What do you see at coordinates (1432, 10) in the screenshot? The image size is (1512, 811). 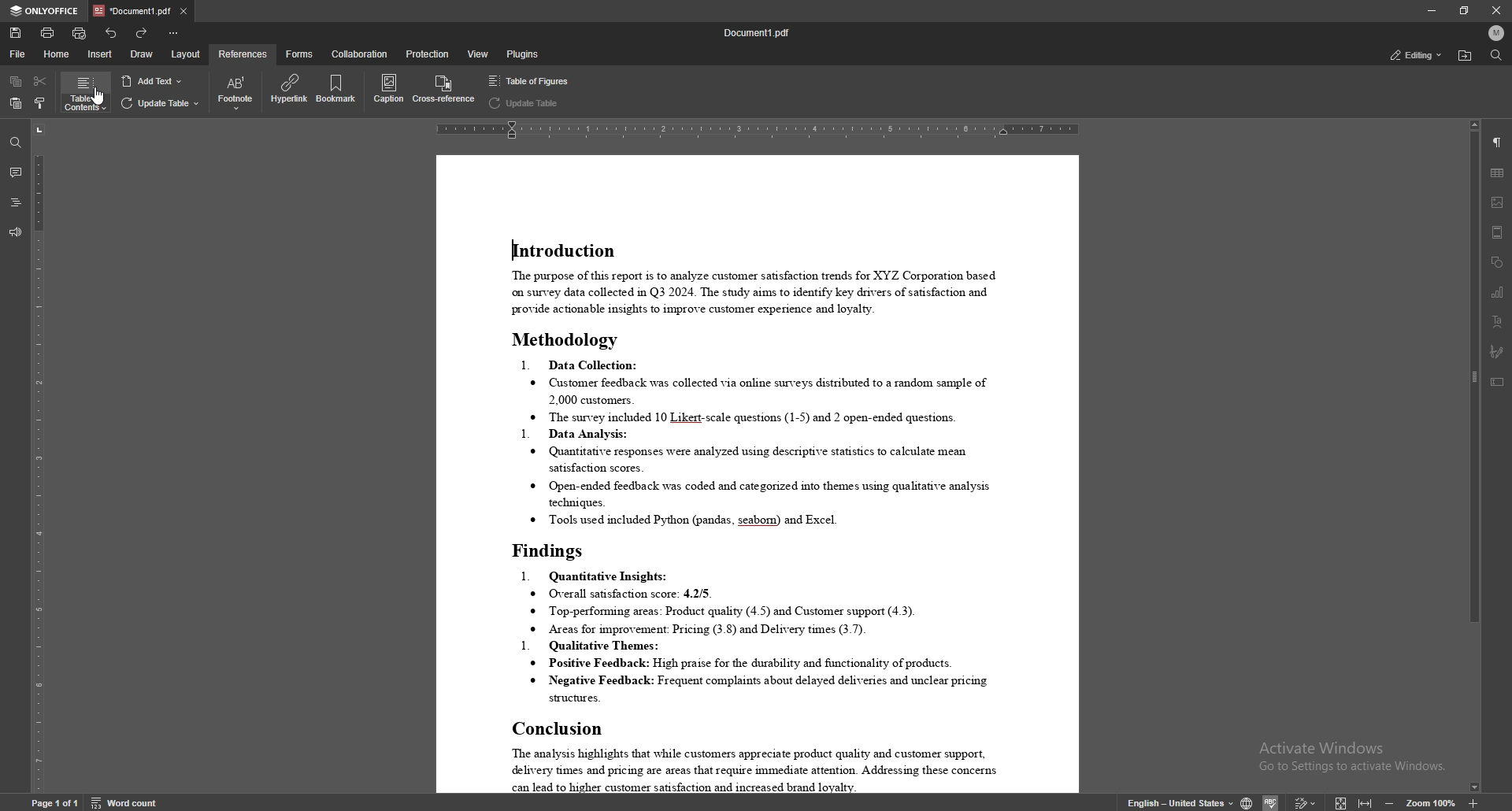 I see `minimize` at bounding box center [1432, 10].